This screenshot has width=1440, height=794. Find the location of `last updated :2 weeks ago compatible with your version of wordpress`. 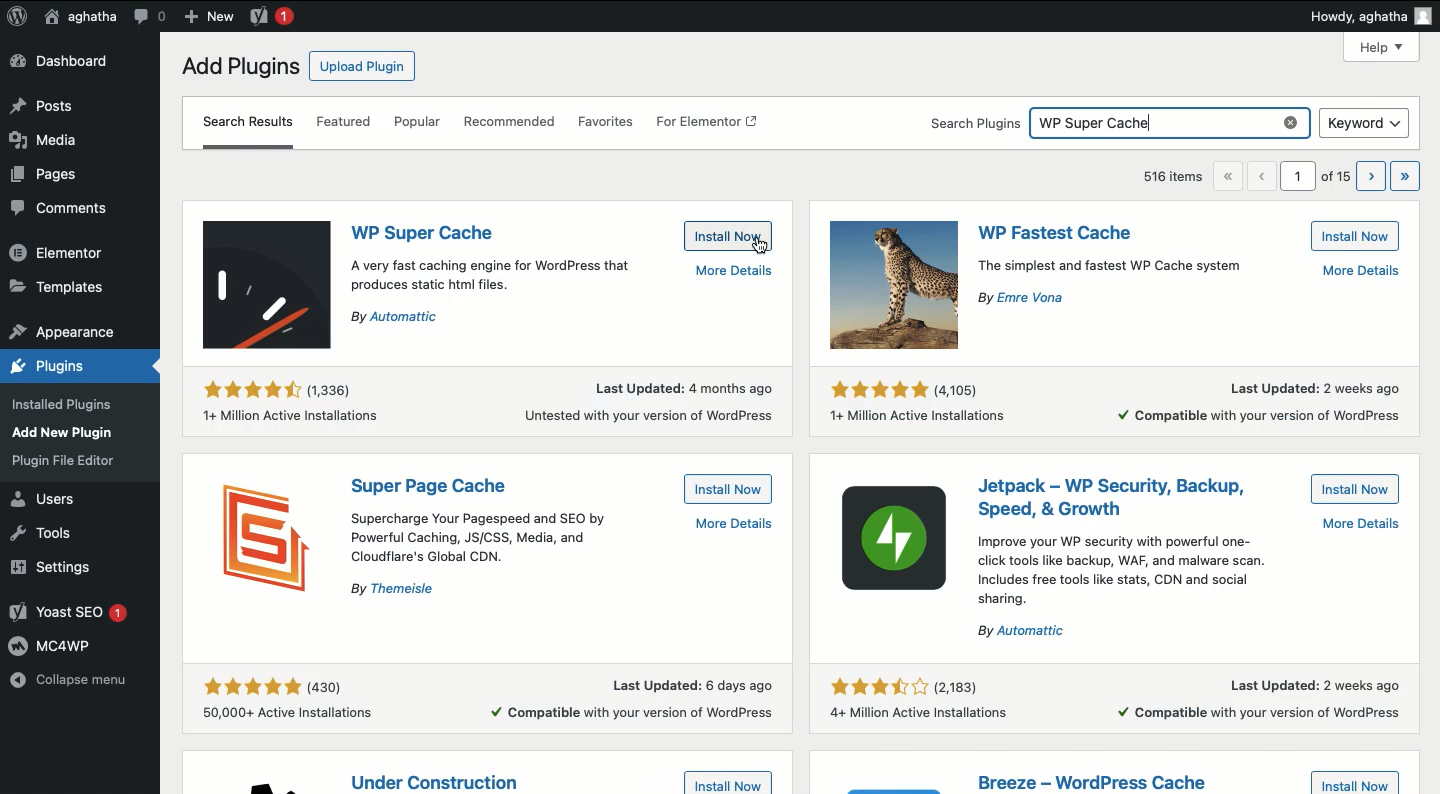

last updated :2 weeks ago compatible with your version of wordpress is located at coordinates (1115, 696).